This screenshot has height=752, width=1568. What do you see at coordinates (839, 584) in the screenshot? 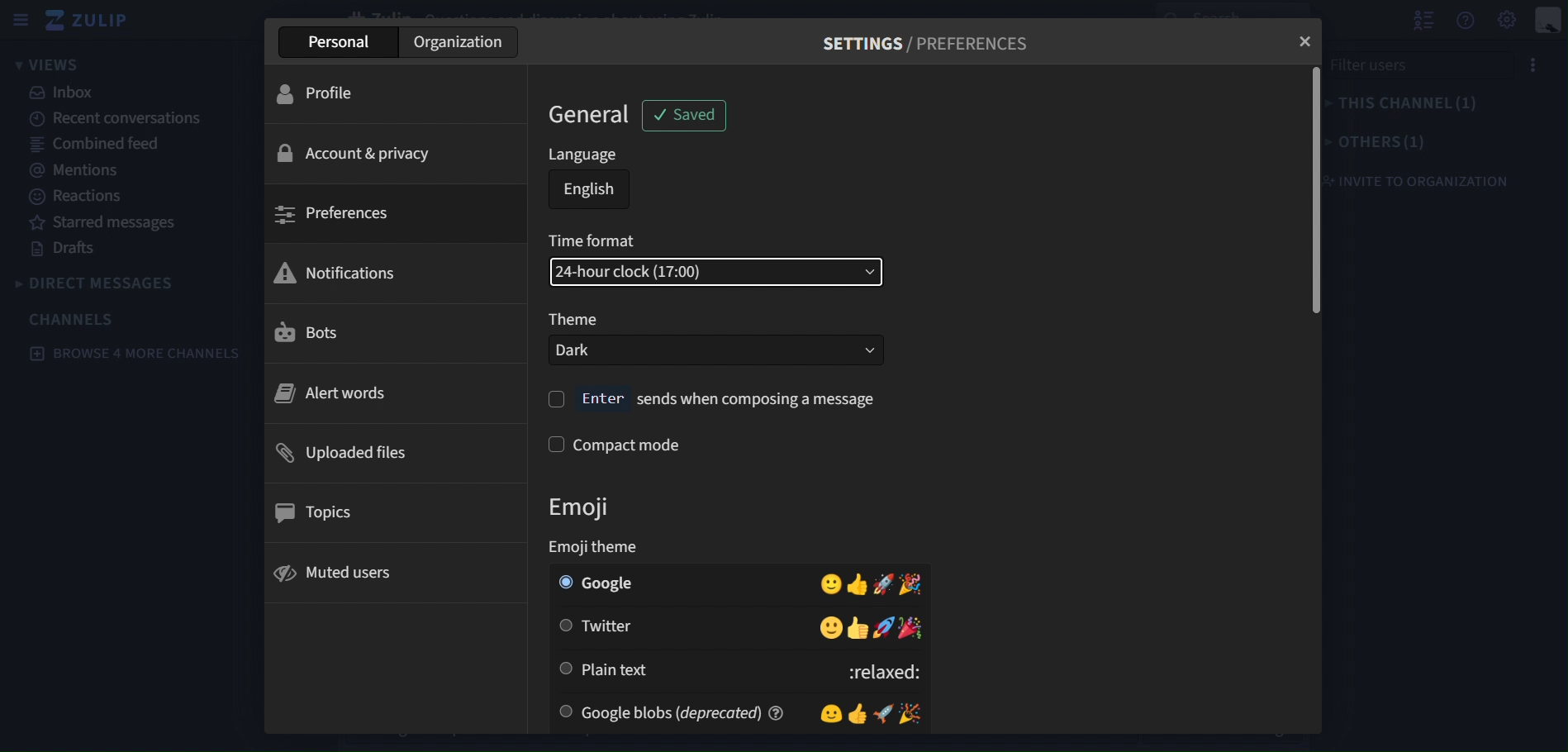
I see `Emojis` at bounding box center [839, 584].